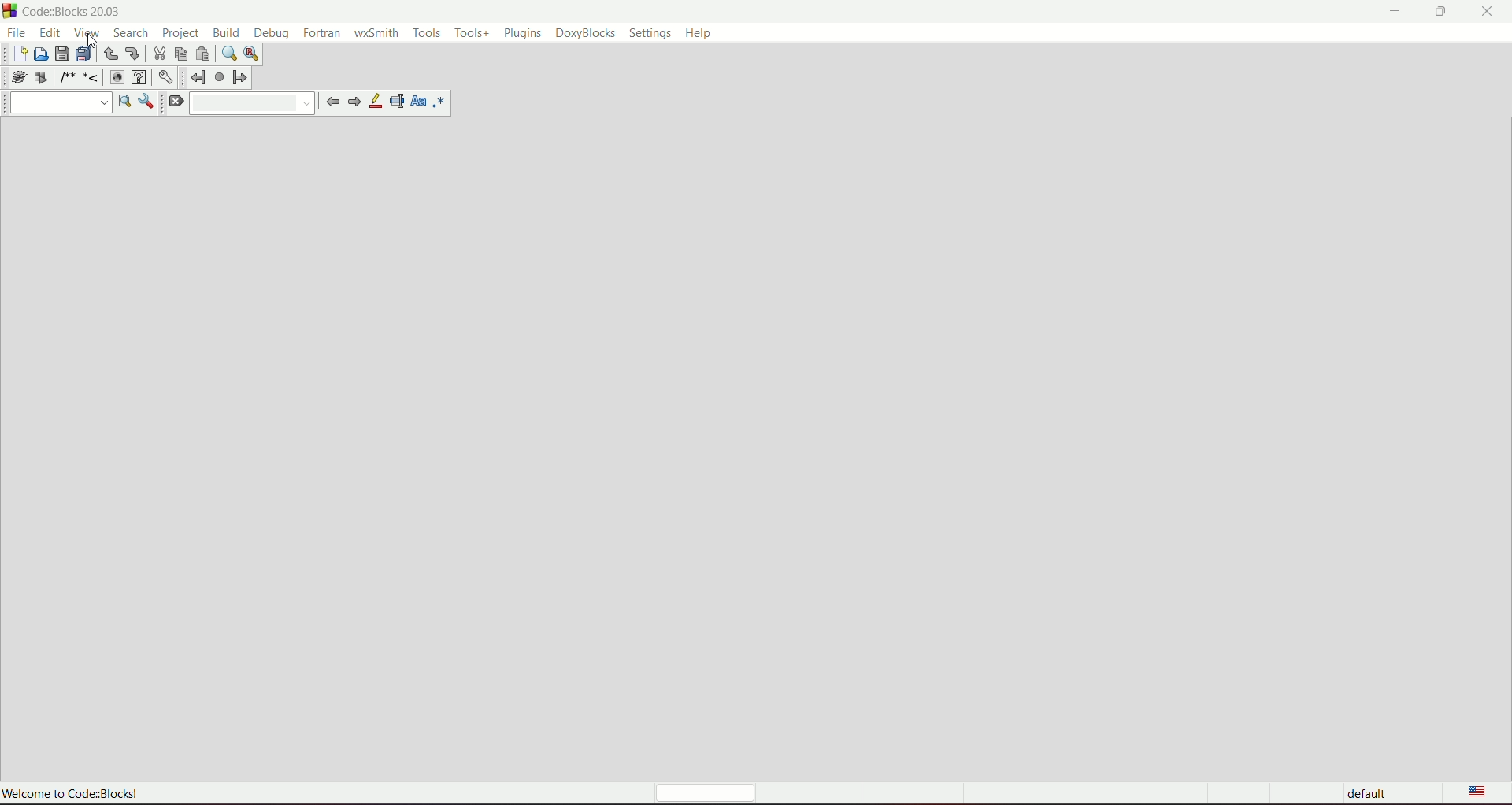 The width and height of the screenshot is (1512, 805). What do you see at coordinates (1370, 795) in the screenshot?
I see `default` at bounding box center [1370, 795].